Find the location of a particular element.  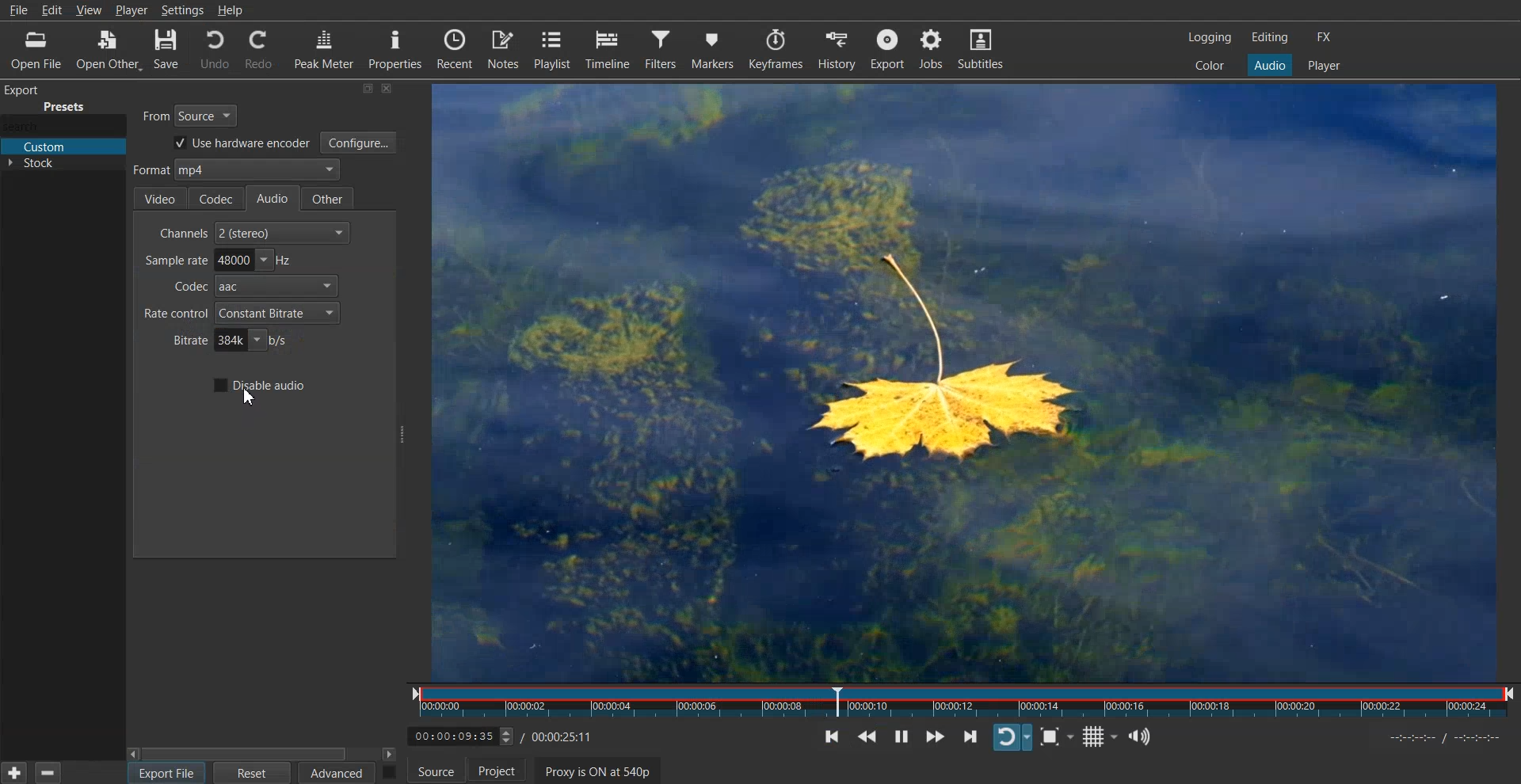

From Source is located at coordinates (192, 113).